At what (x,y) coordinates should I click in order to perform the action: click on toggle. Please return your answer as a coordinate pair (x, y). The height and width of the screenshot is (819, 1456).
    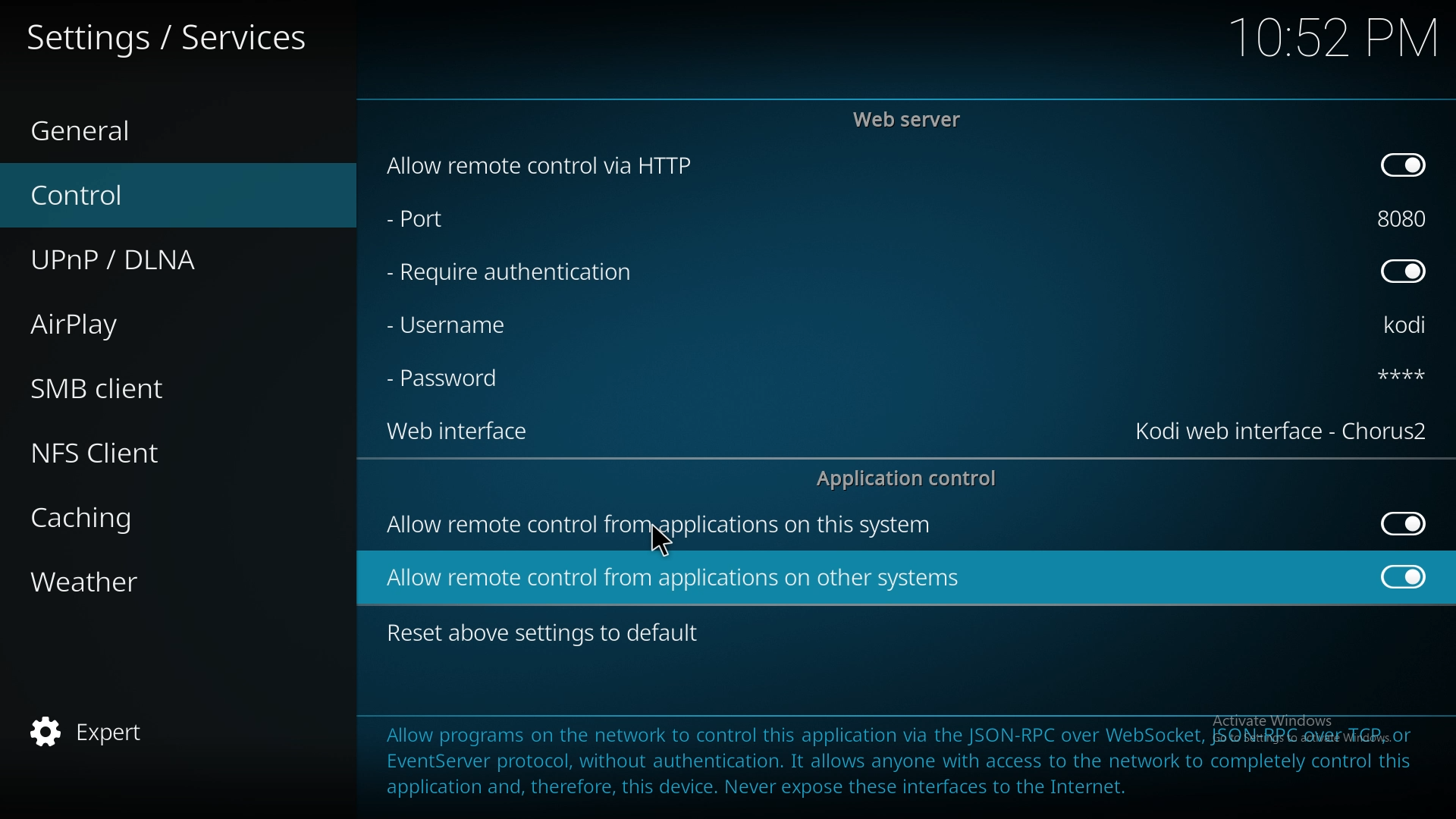
    Looking at the image, I should click on (1403, 273).